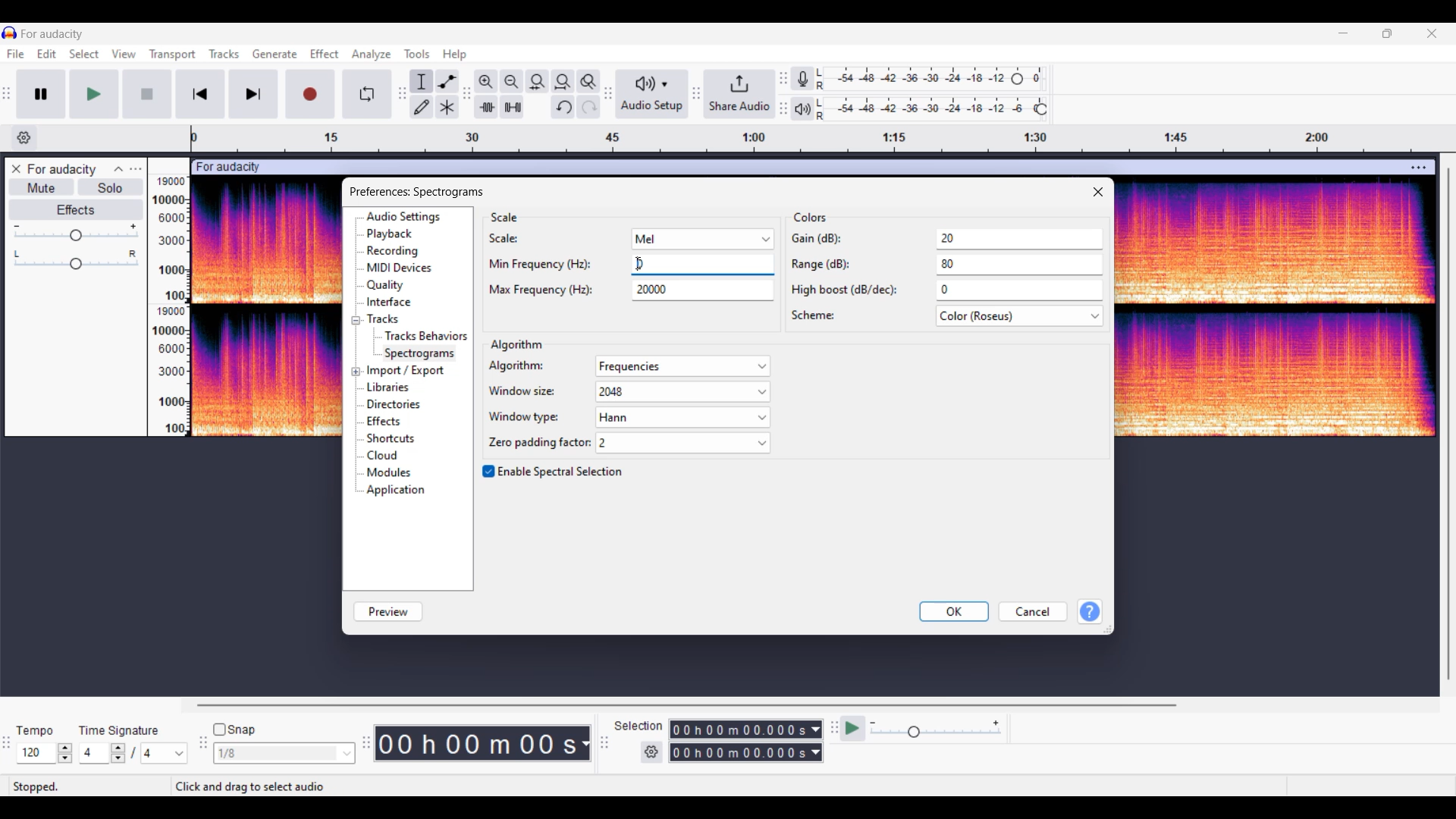 This screenshot has height=819, width=1456. What do you see at coordinates (563, 82) in the screenshot?
I see `Fit projection to width` at bounding box center [563, 82].